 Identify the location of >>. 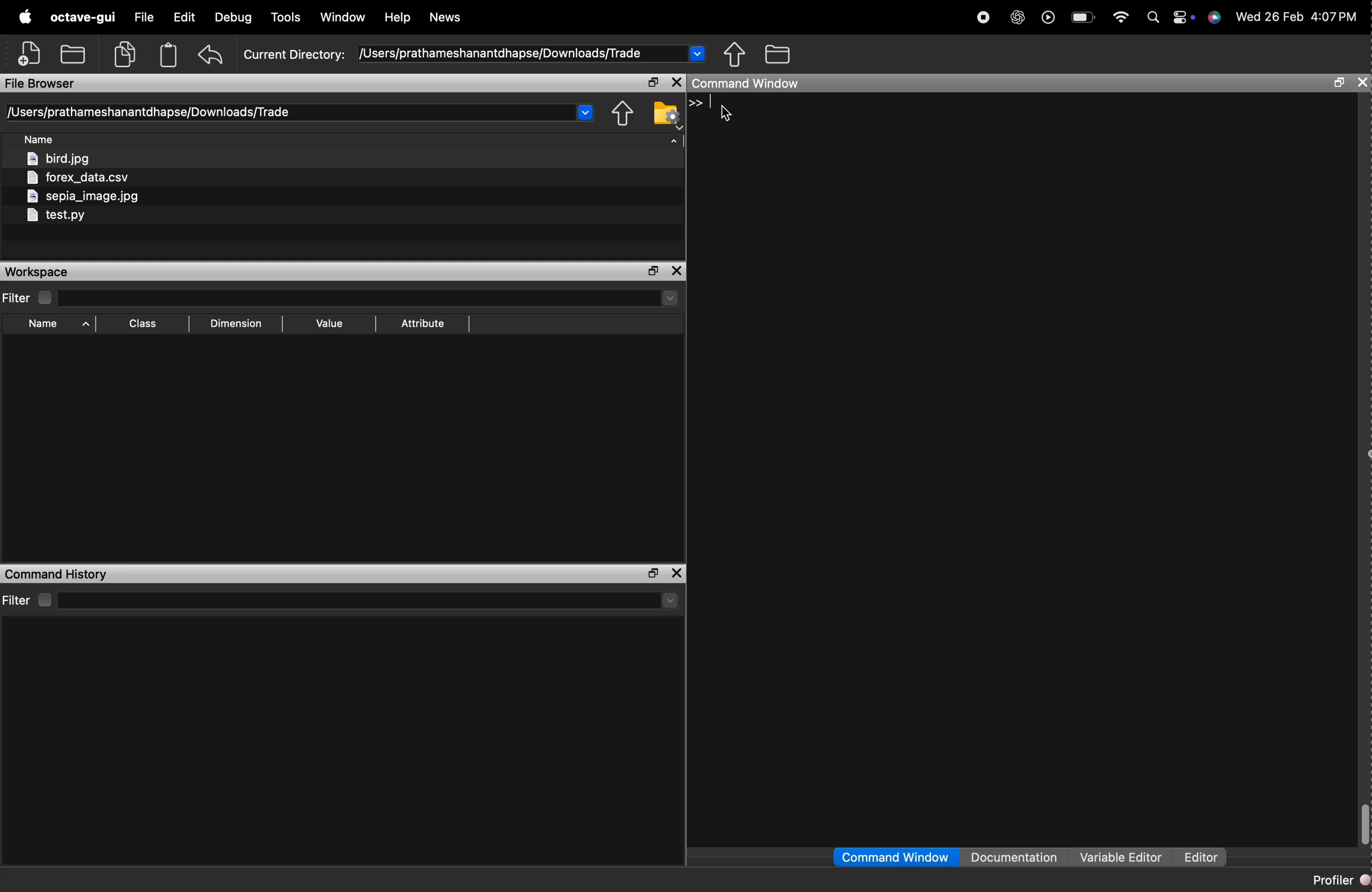
(696, 103).